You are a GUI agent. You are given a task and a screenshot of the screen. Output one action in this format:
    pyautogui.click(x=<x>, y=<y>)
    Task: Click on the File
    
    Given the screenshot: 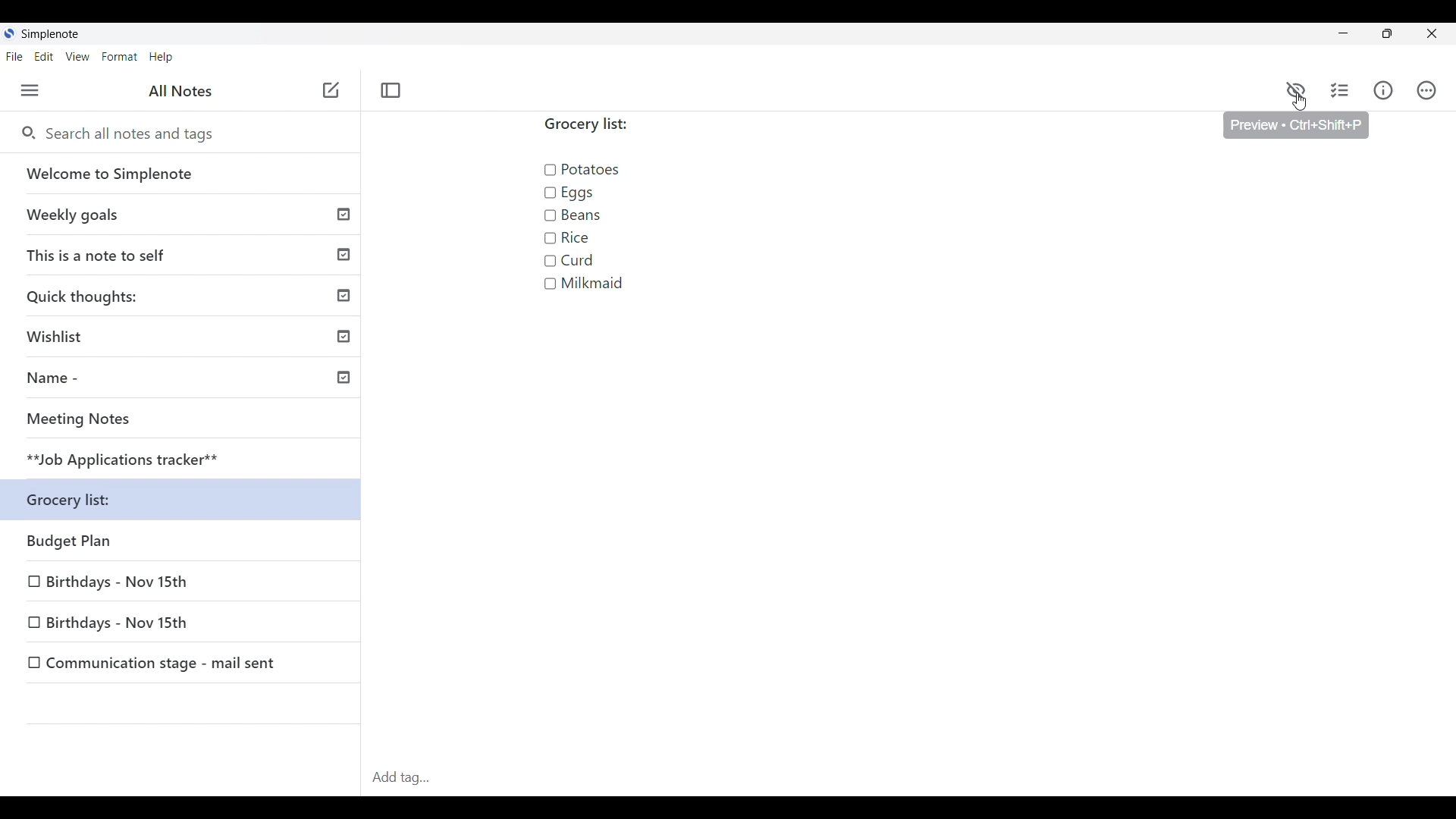 What is the action you would take?
    pyautogui.click(x=14, y=56)
    